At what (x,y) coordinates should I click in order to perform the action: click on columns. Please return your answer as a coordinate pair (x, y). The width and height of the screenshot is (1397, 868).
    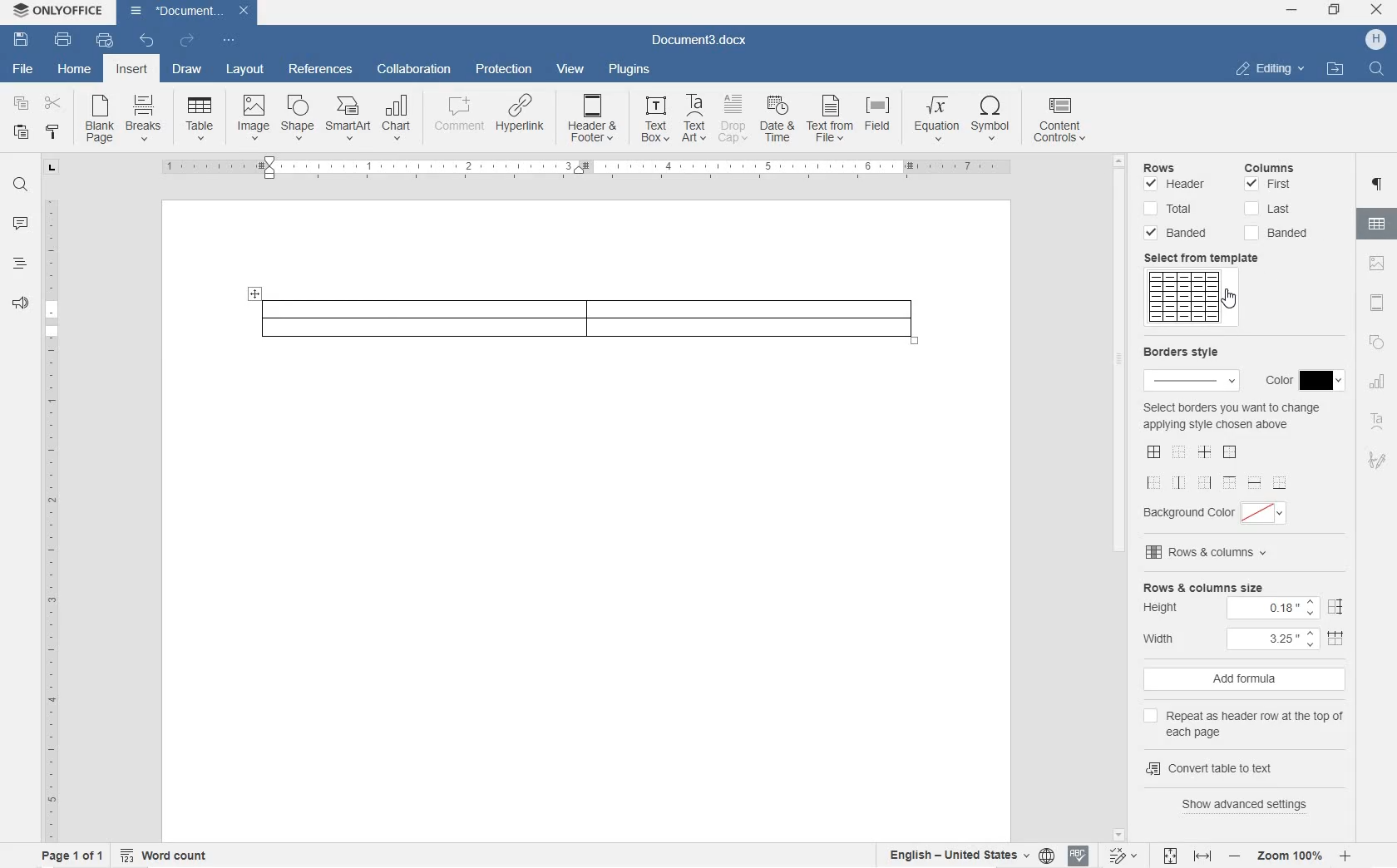
    Looking at the image, I should click on (1278, 165).